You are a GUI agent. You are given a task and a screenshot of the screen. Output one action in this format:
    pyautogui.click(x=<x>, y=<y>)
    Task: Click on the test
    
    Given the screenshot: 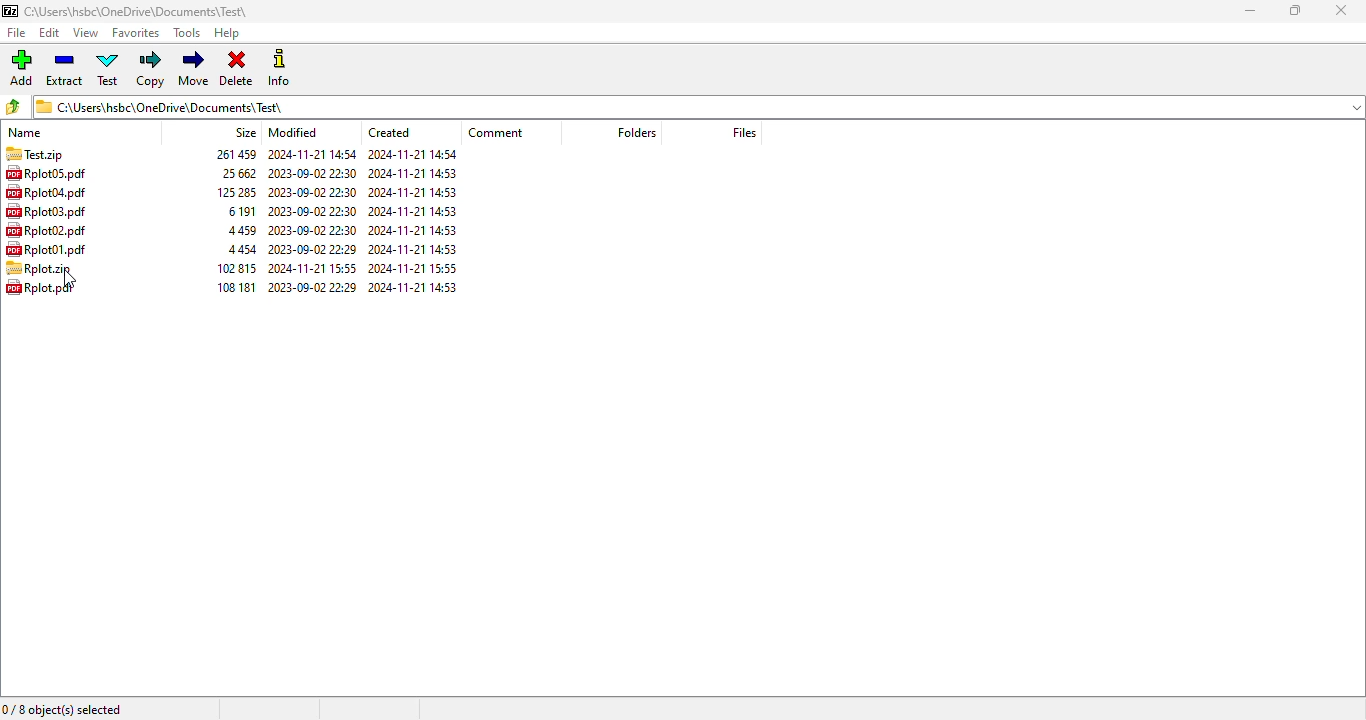 What is the action you would take?
    pyautogui.click(x=108, y=68)
    